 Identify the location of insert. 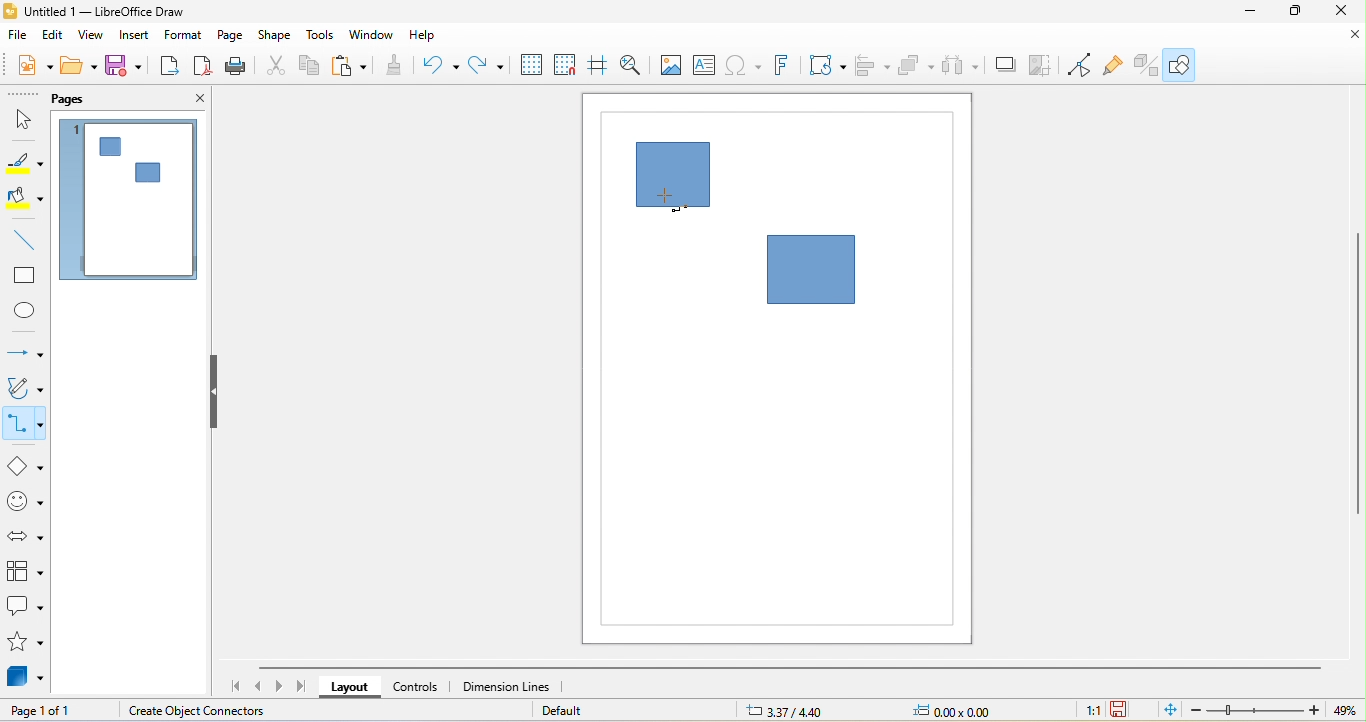
(133, 35).